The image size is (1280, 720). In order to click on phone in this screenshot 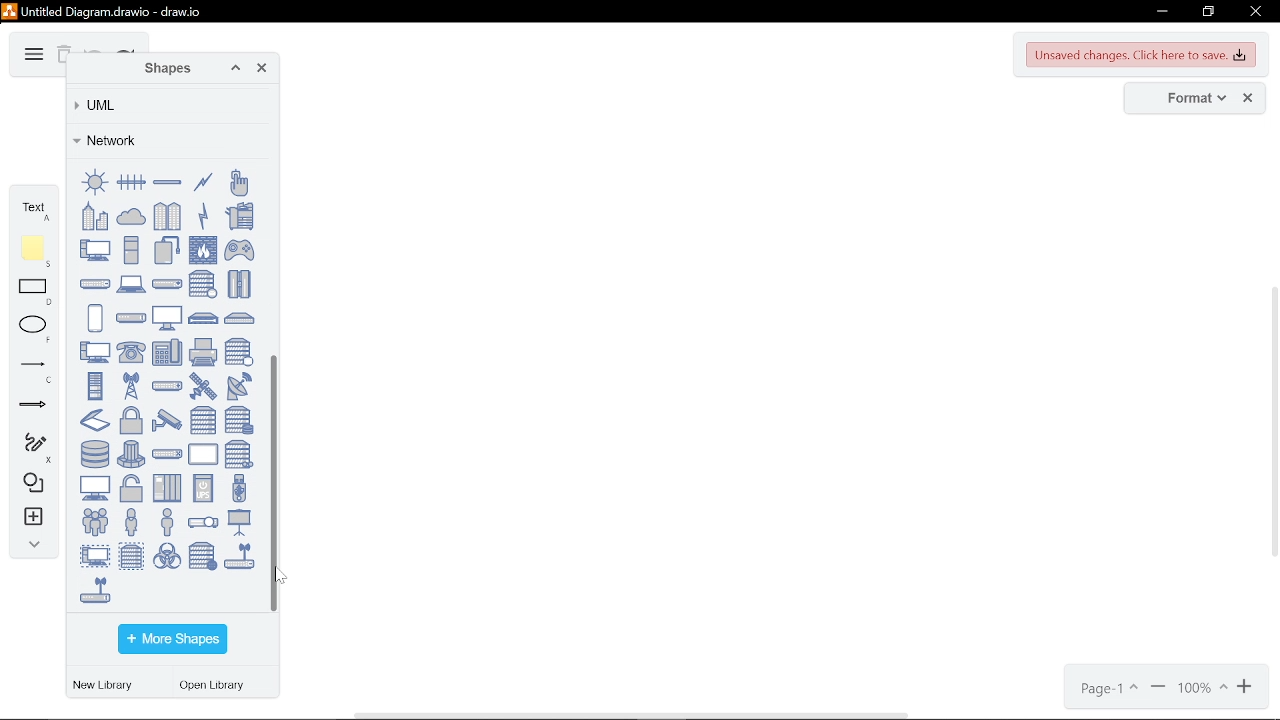, I will do `click(131, 353)`.